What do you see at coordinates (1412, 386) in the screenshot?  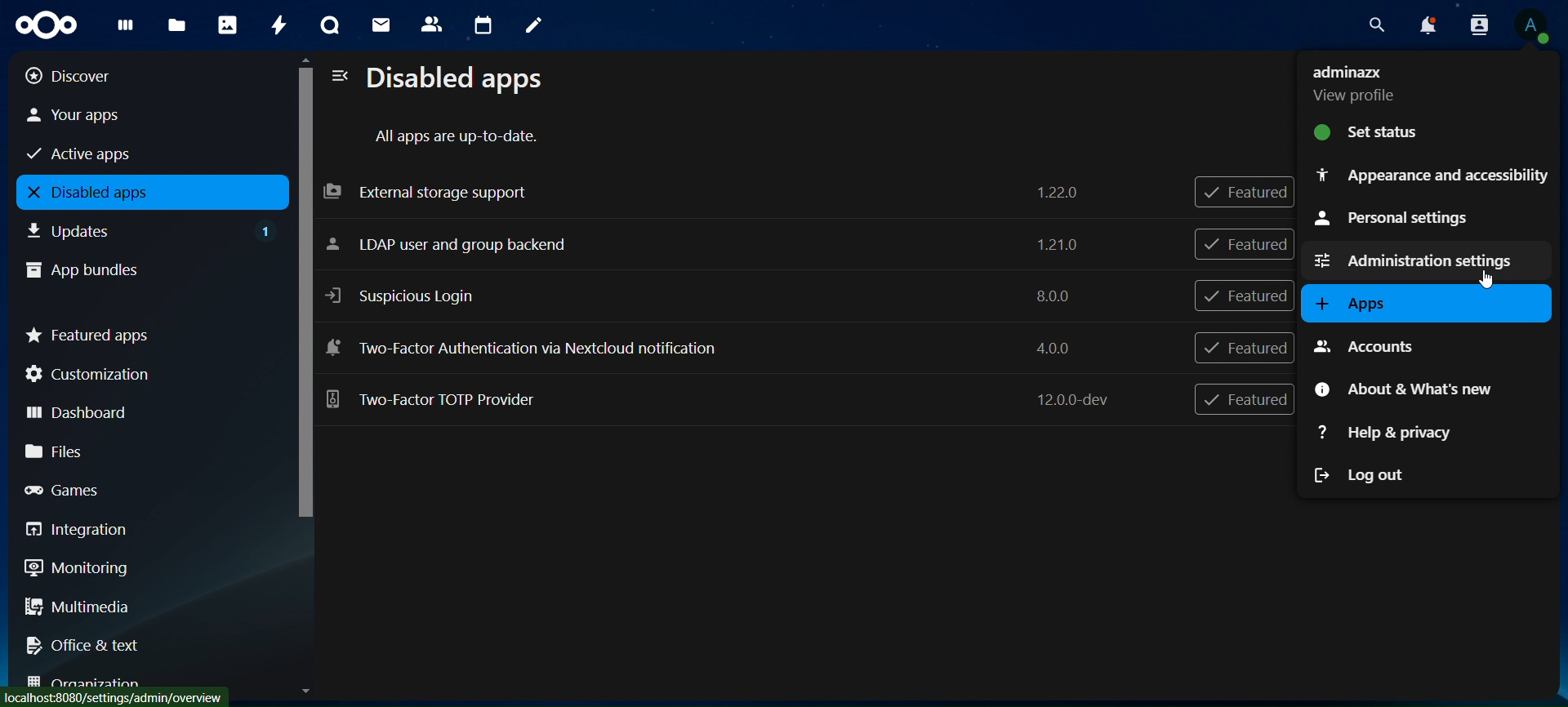 I see `bout & what's new` at bounding box center [1412, 386].